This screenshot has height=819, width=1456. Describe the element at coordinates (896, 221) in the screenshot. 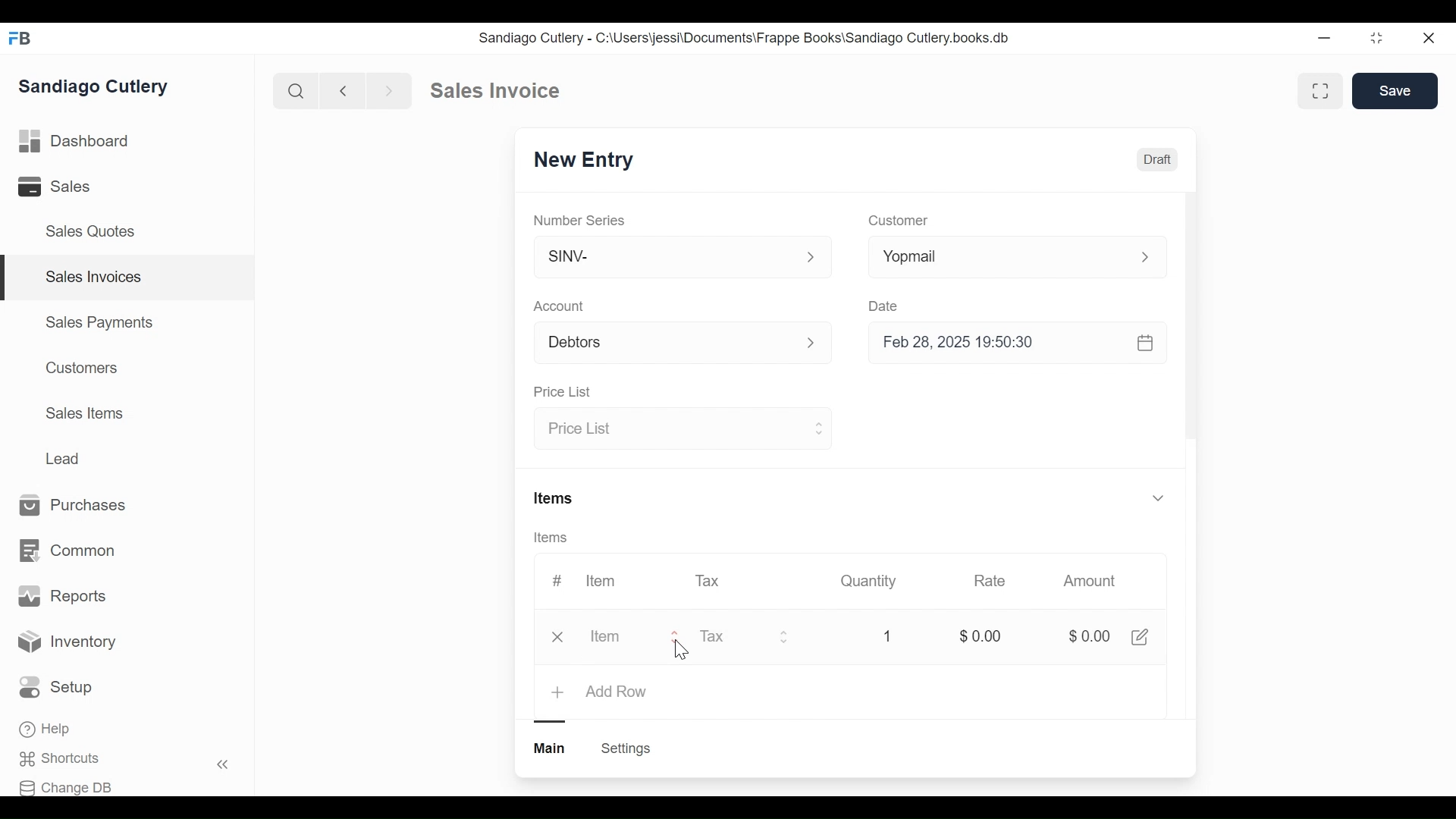

I see `Customer` at that location.